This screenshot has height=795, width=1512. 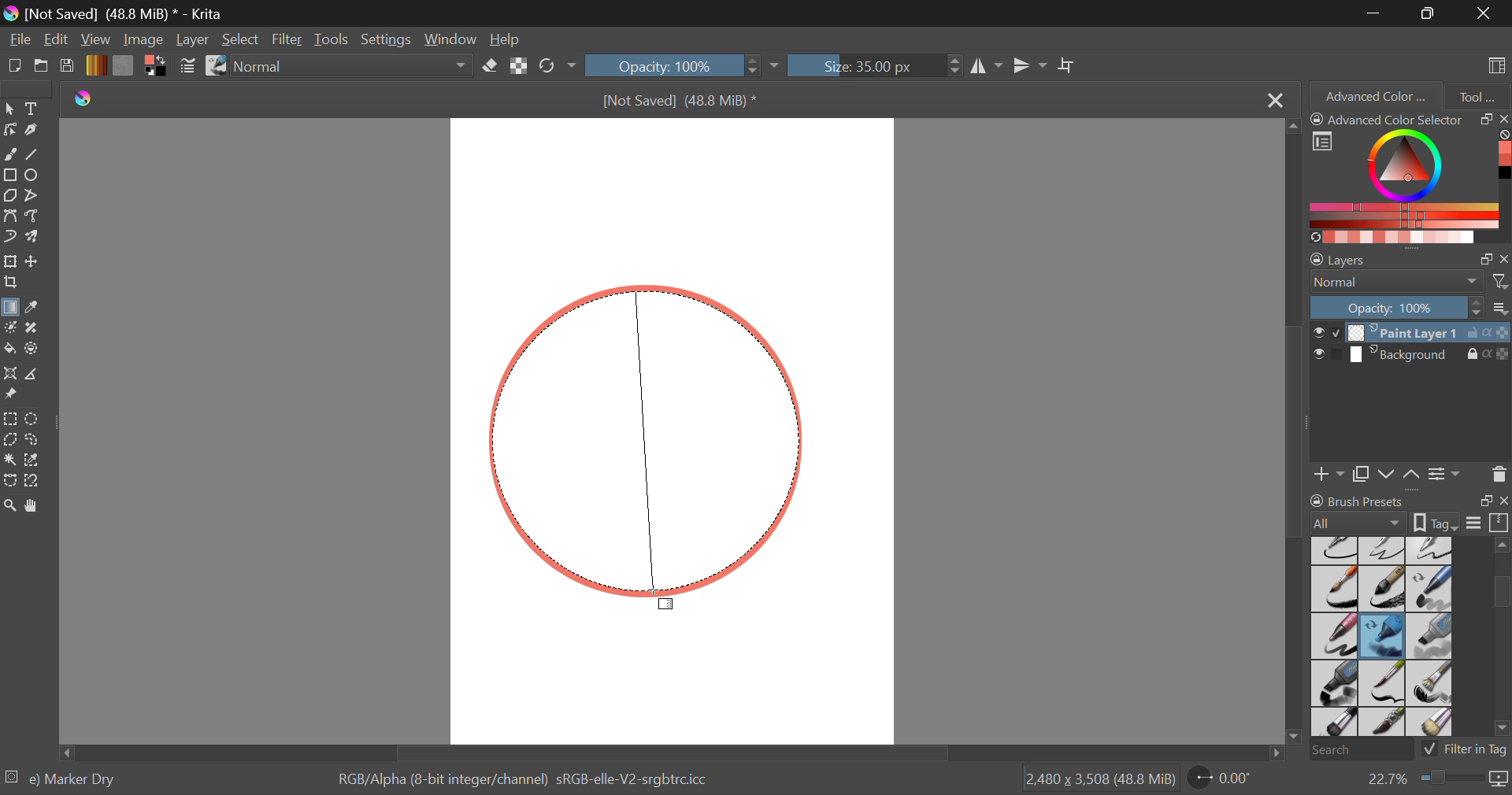 What do you see at coordinates (1377, 13) in the screenshot?
I see `Restore Down` at bounding box center [1377, 13].